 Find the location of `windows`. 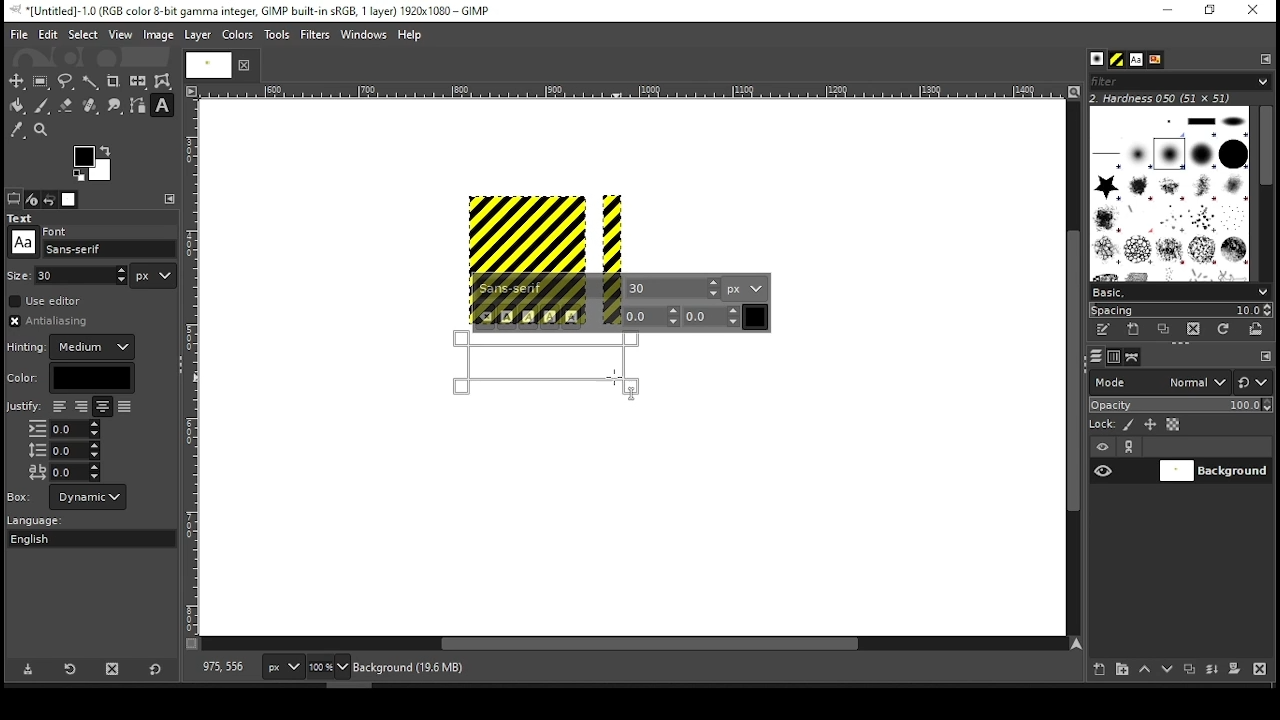

windows is located at coordinates (365, 36).